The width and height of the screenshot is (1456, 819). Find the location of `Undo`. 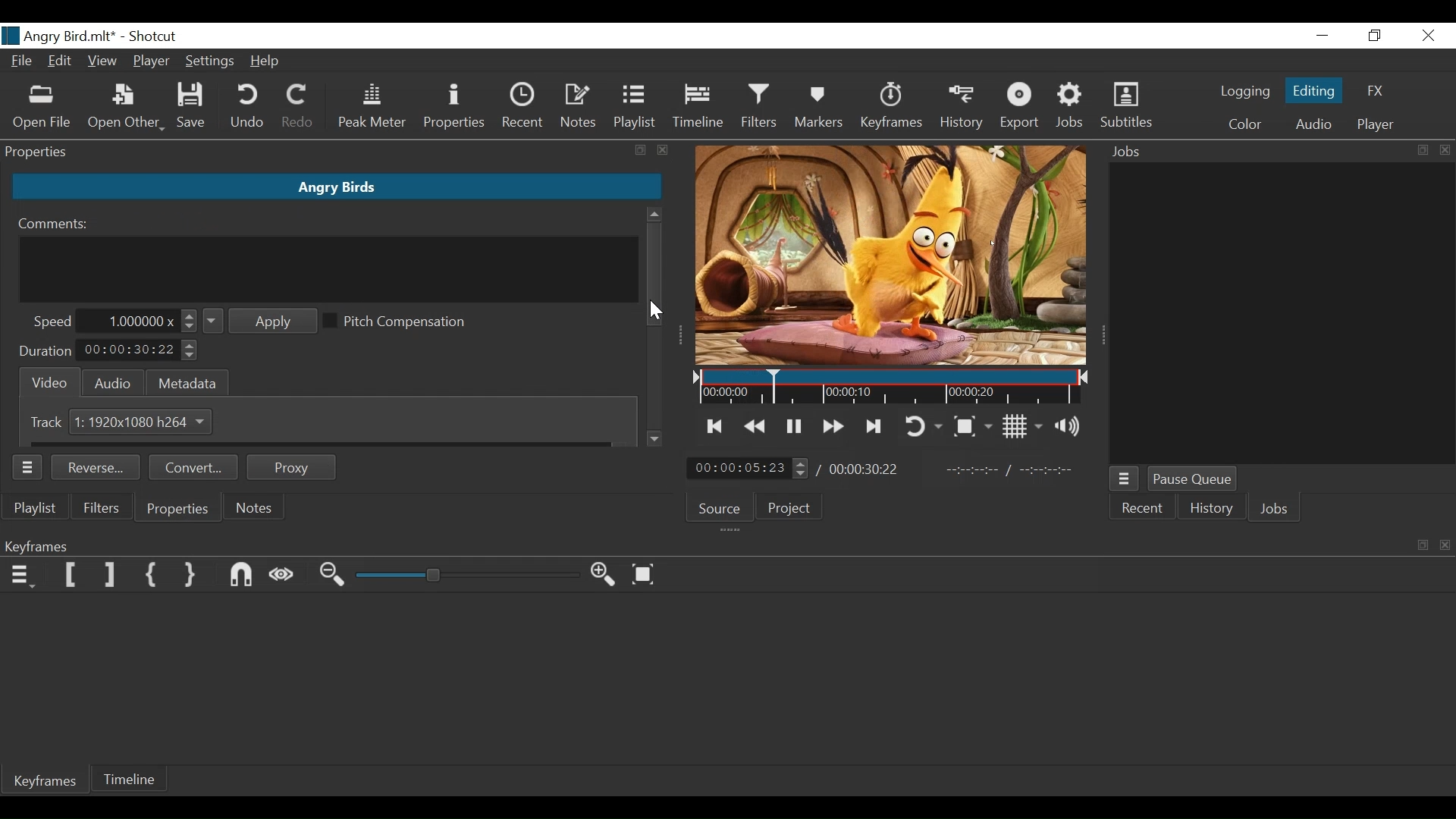

Undo is located at coordinates (249, 108).